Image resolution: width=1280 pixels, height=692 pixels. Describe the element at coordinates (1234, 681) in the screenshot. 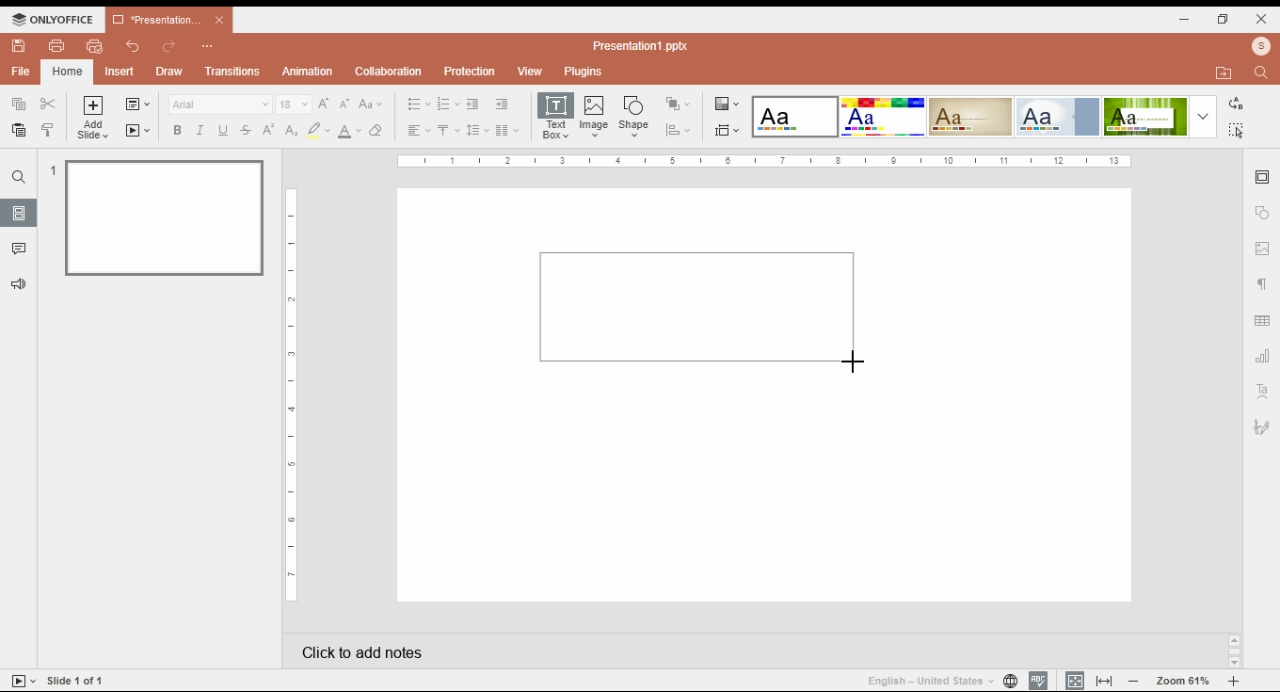

I see `increase zoom` at that location.